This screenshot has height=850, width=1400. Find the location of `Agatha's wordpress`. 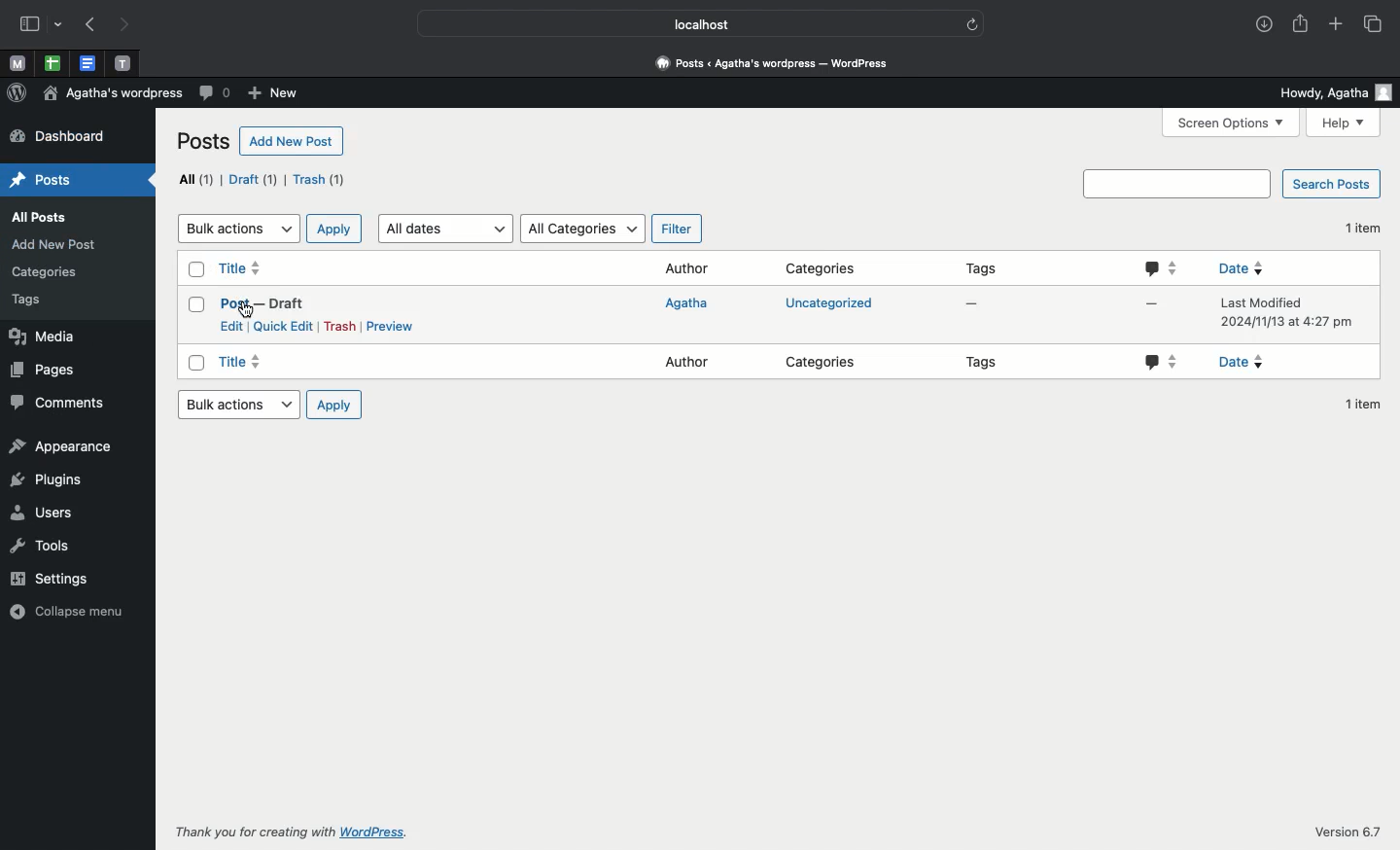

Agatha's wordpress is located at coordinates (109, 94).